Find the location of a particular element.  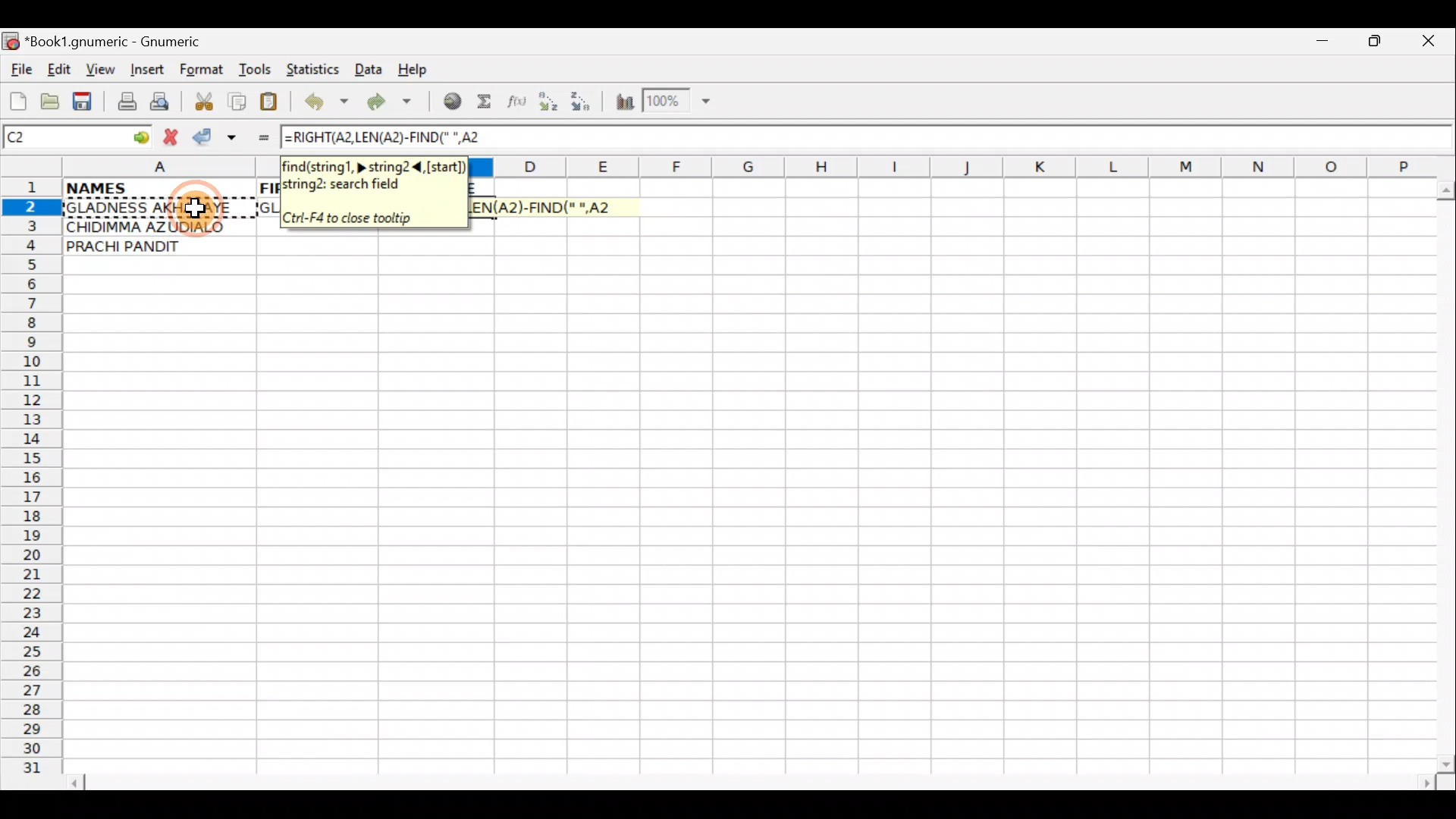

Format is located at coordinates (205, 71).